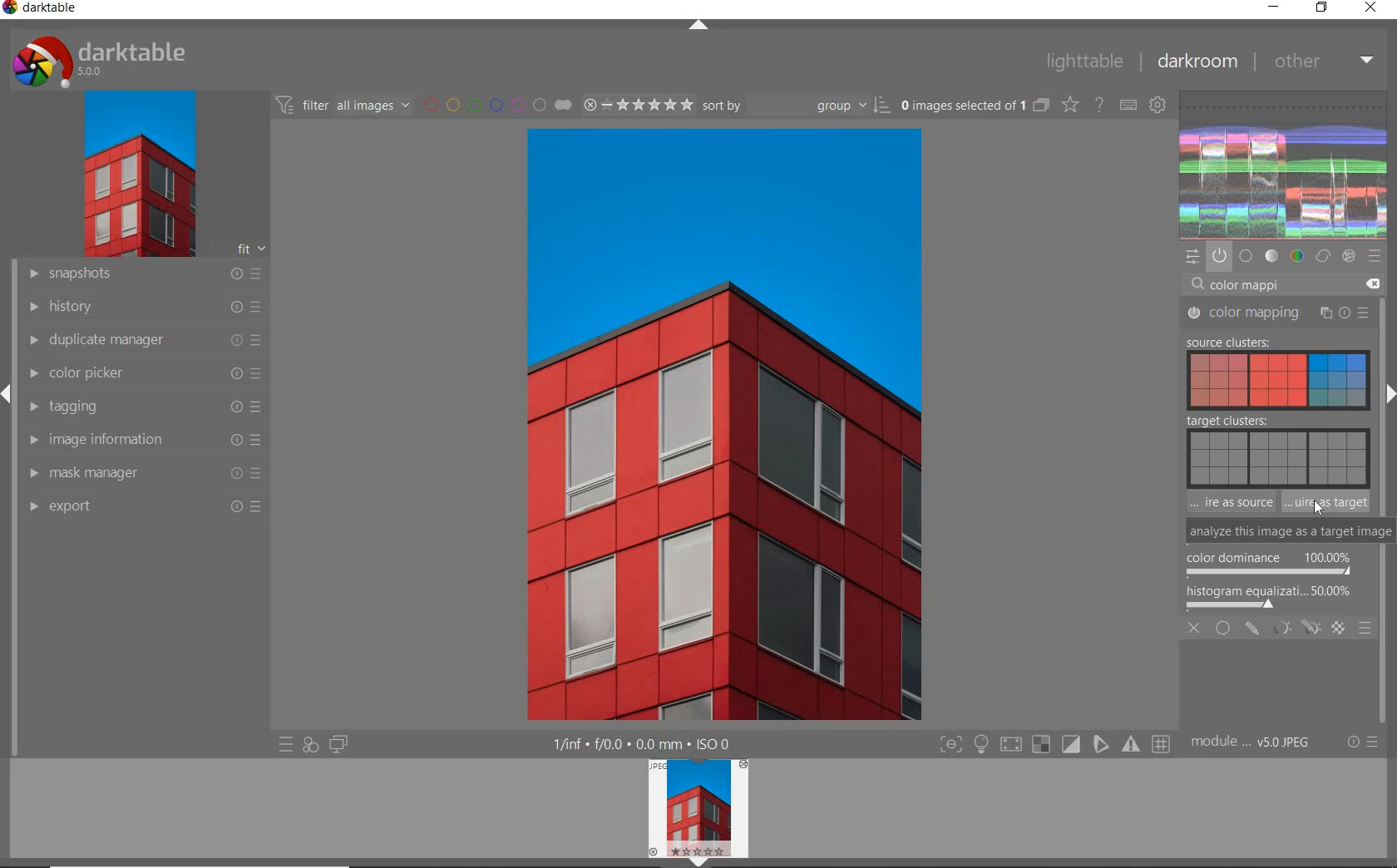 This screenshot has width=1397, height=868. What do you see at coordinates (1193, 343) in the screenshot?
I see `COLOR MAPPING 'IS SWITCHED OFF'` at bounding box center [1193, 343].